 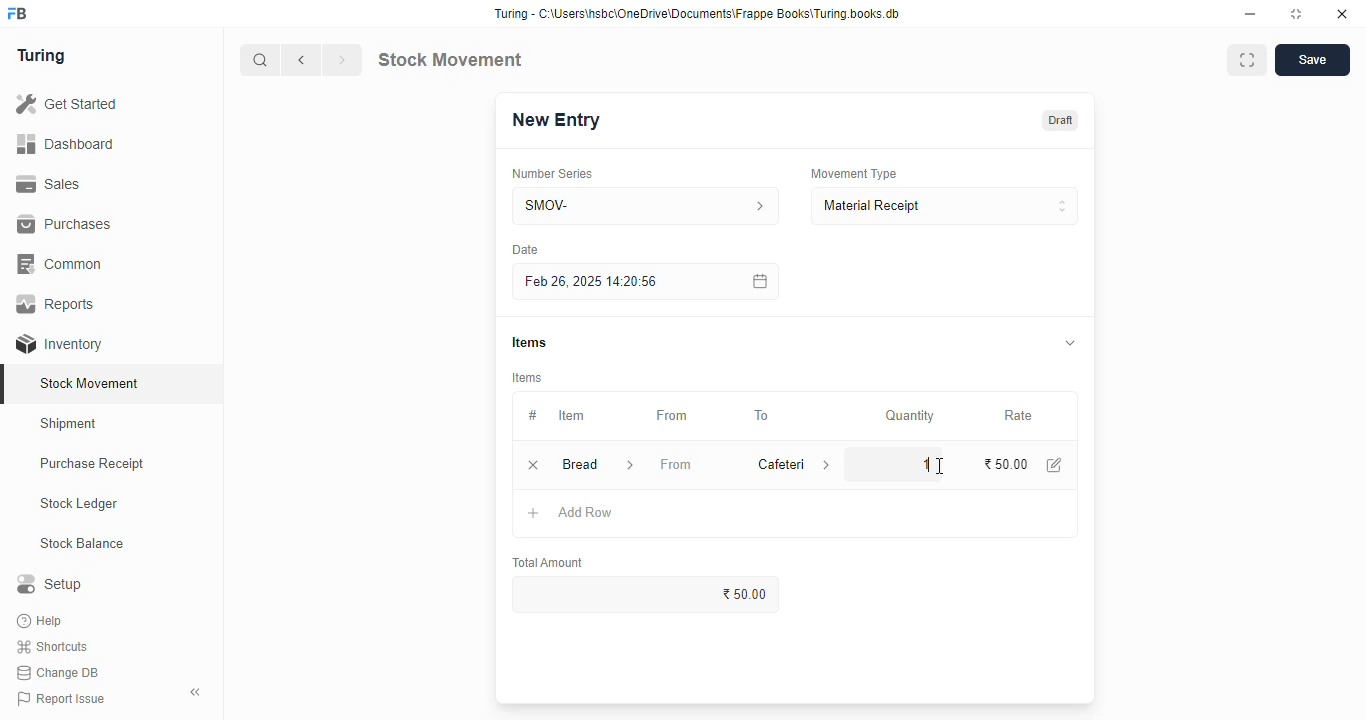 What do you see at coordinates (586, 512) in the screenshot?
I see `add row` at bounding box center [586, 512].